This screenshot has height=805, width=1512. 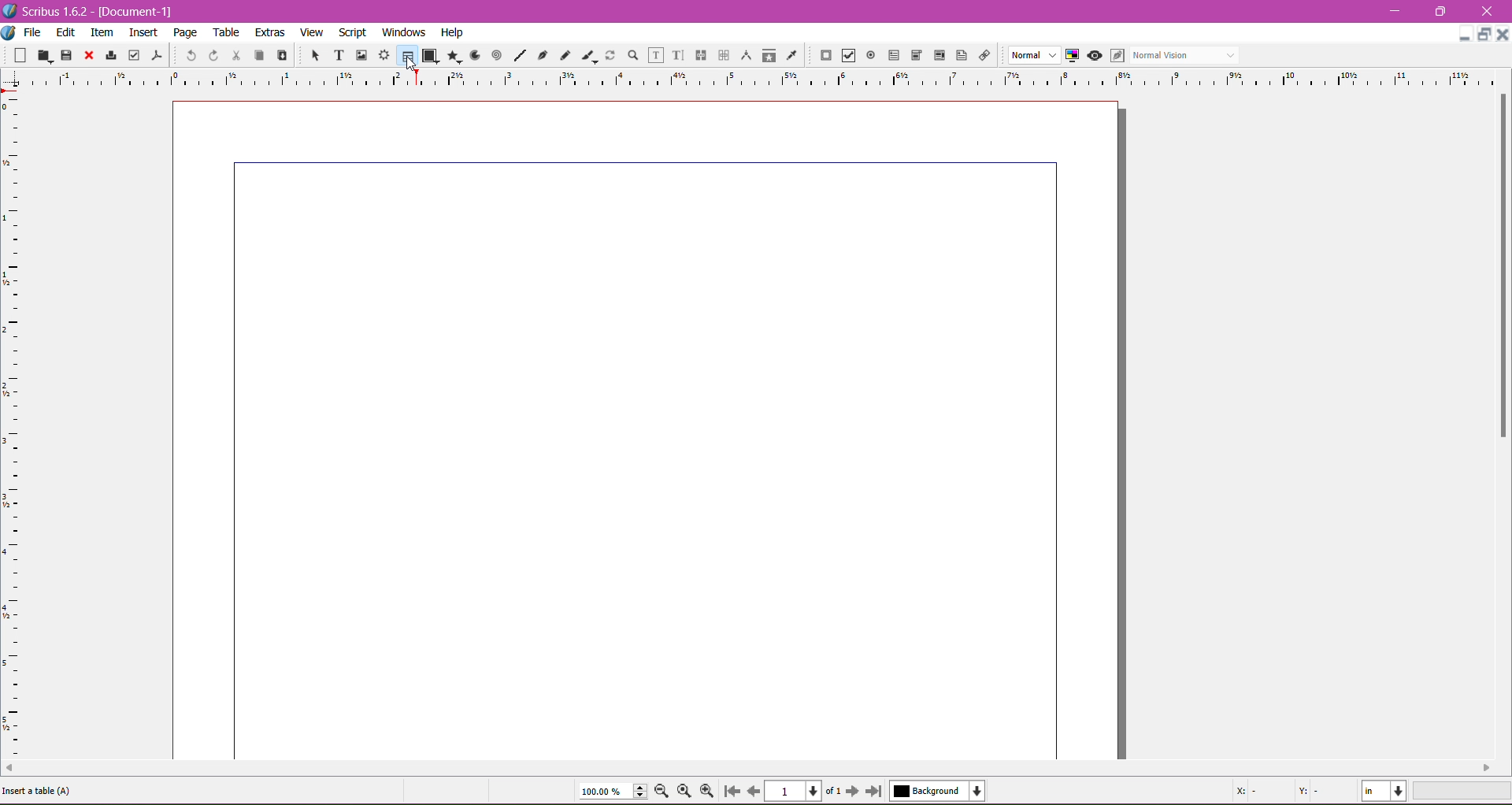 What do you see at coordinates (854, 790) in the screenshot?
I see `Next Page` at bounding box center [854, 790].